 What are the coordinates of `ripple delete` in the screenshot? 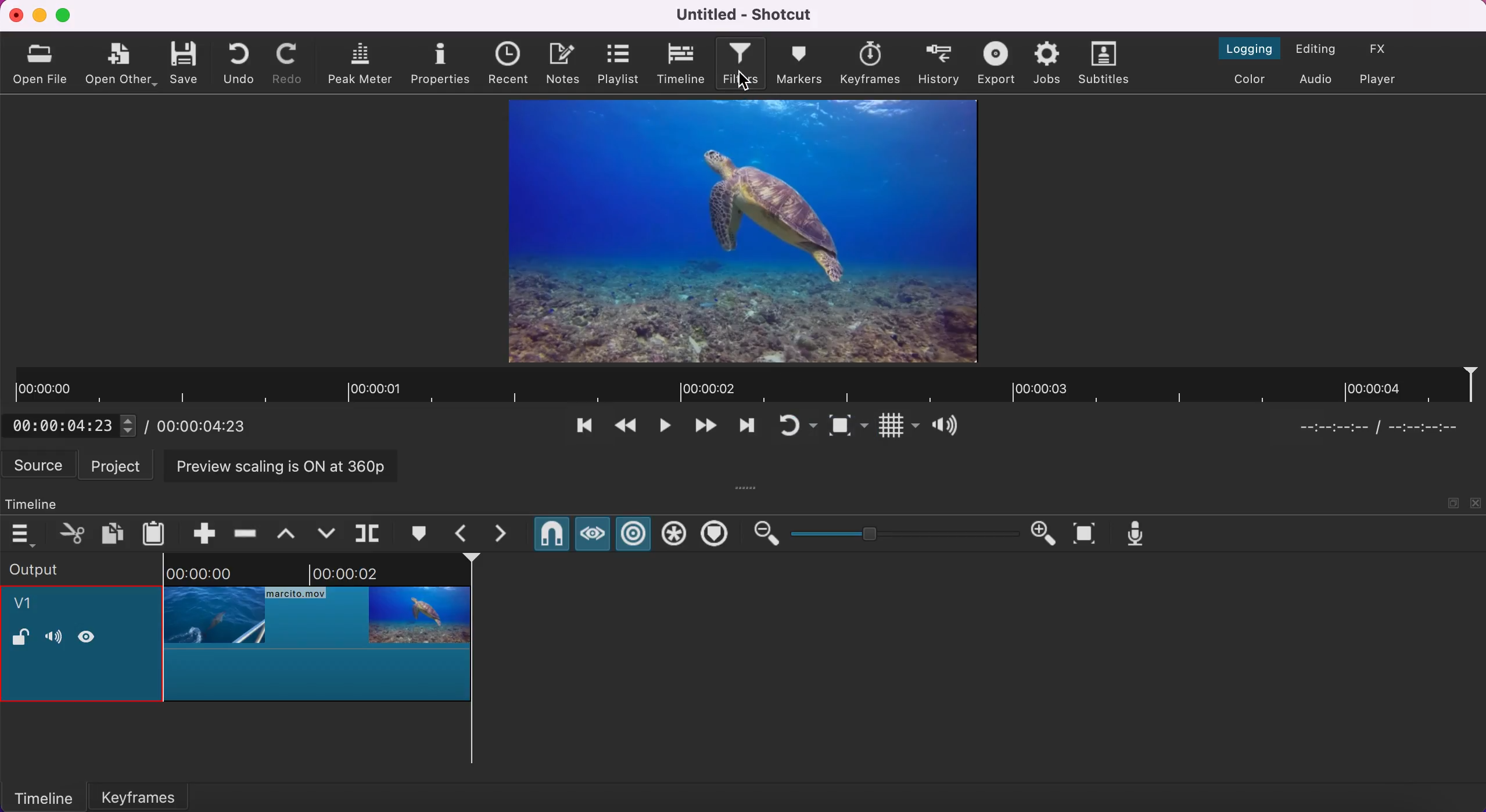 It's located at (246, 530).